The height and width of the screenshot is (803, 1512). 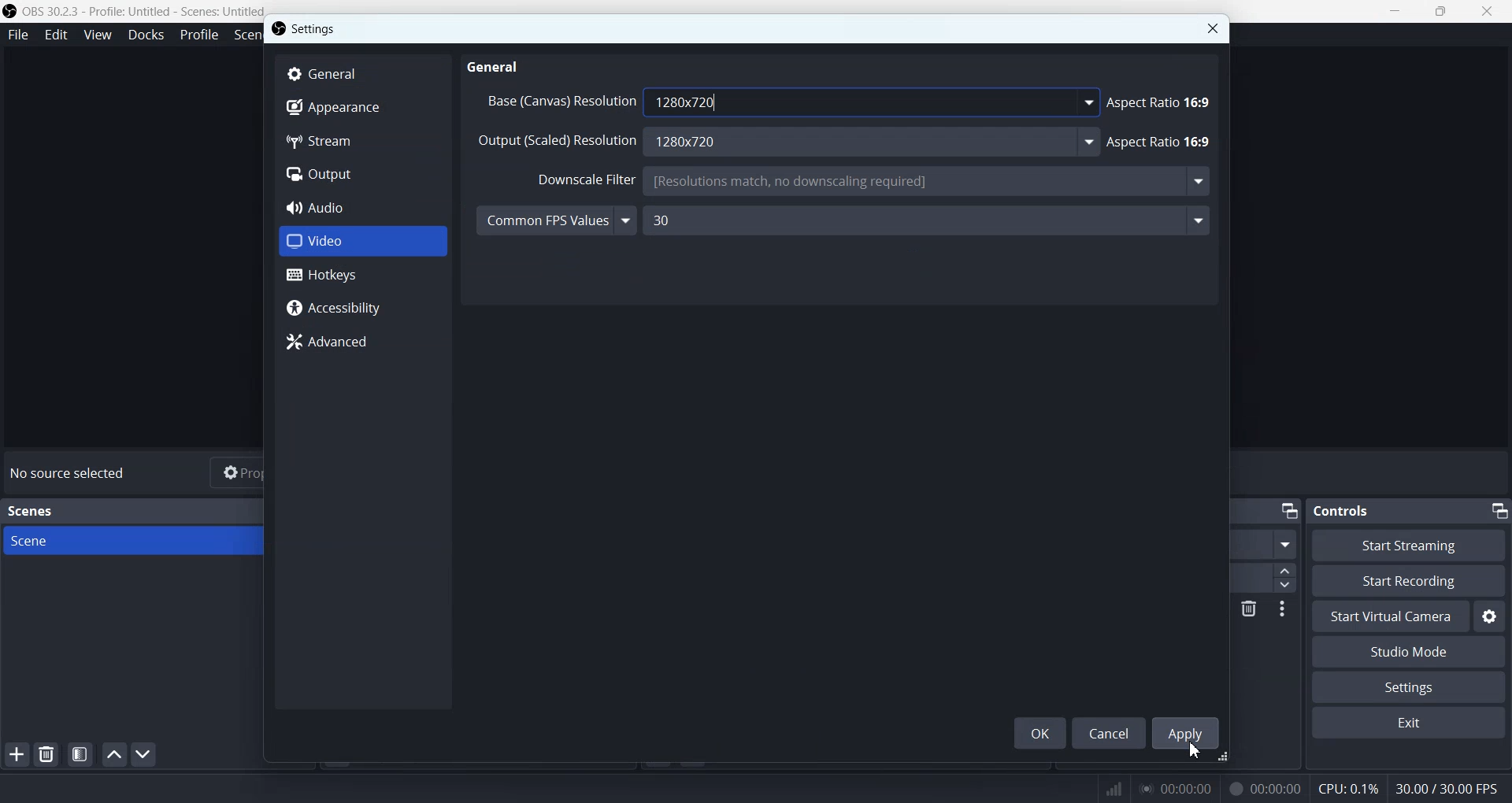 What do you see at coordinates (1213, 28) in the screenshot?
I see `Close` at bounding box center [1213, 28].